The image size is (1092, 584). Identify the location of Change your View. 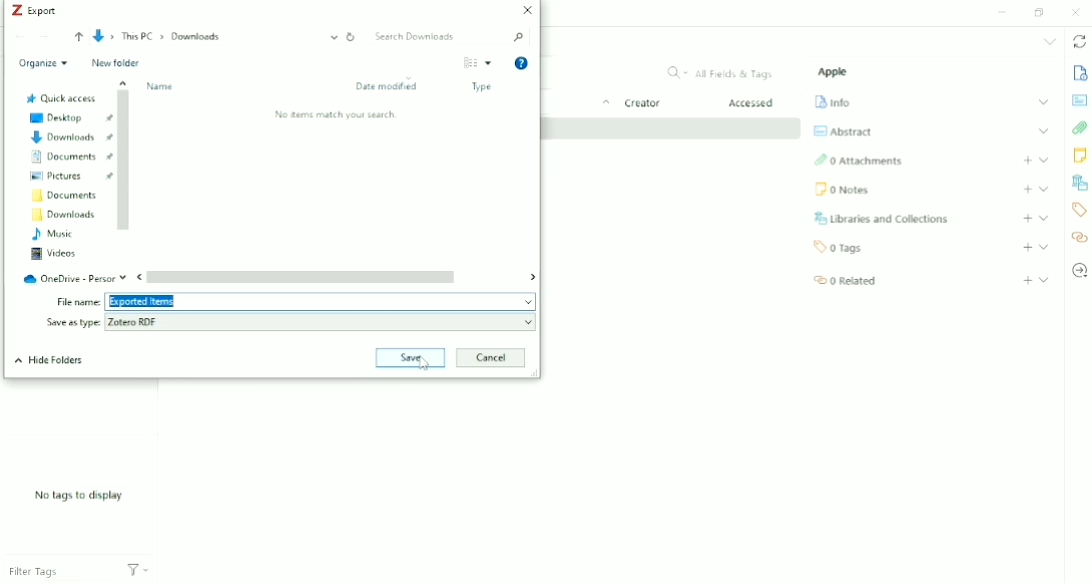
(469, 63).